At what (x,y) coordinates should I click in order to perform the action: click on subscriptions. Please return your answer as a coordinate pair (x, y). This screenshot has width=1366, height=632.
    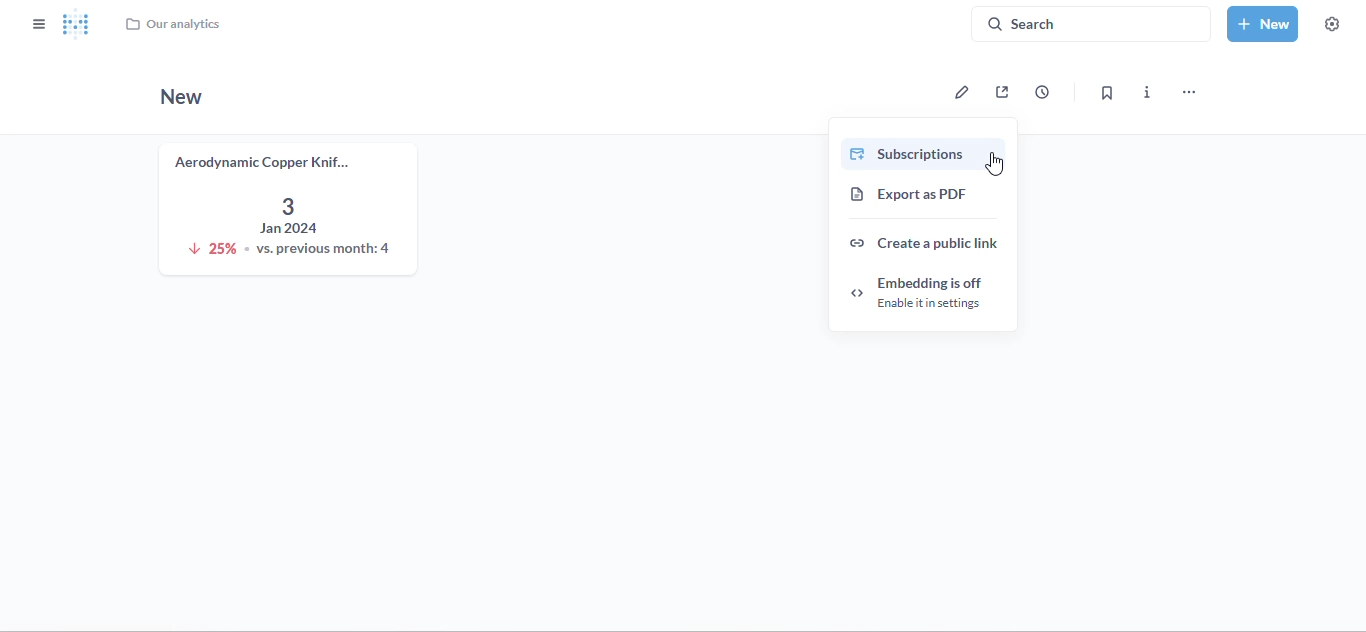
    Looking at the image, I should click on (922, 154).